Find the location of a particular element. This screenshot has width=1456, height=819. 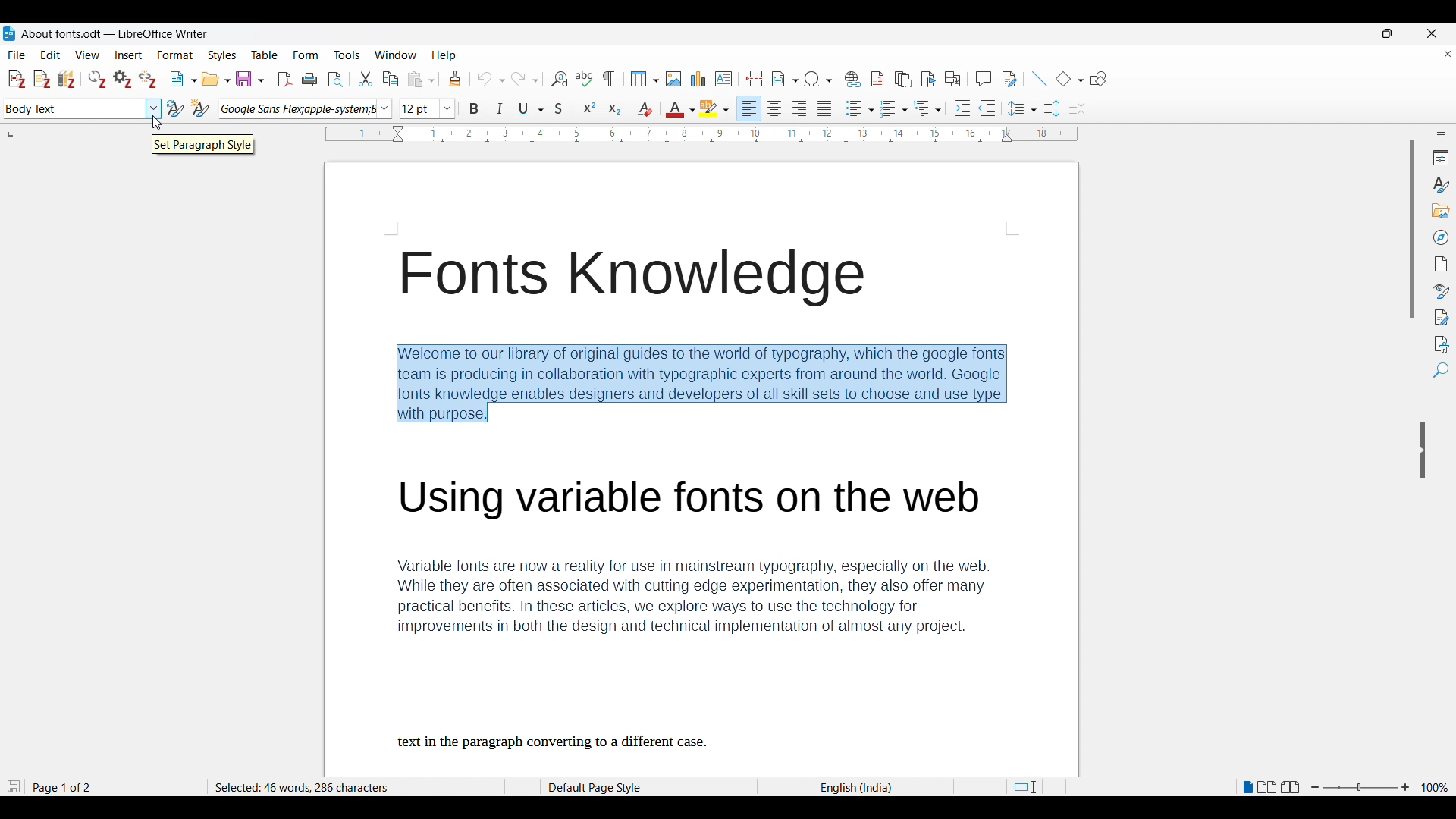

Form menu is located at coordinates (306, 55).